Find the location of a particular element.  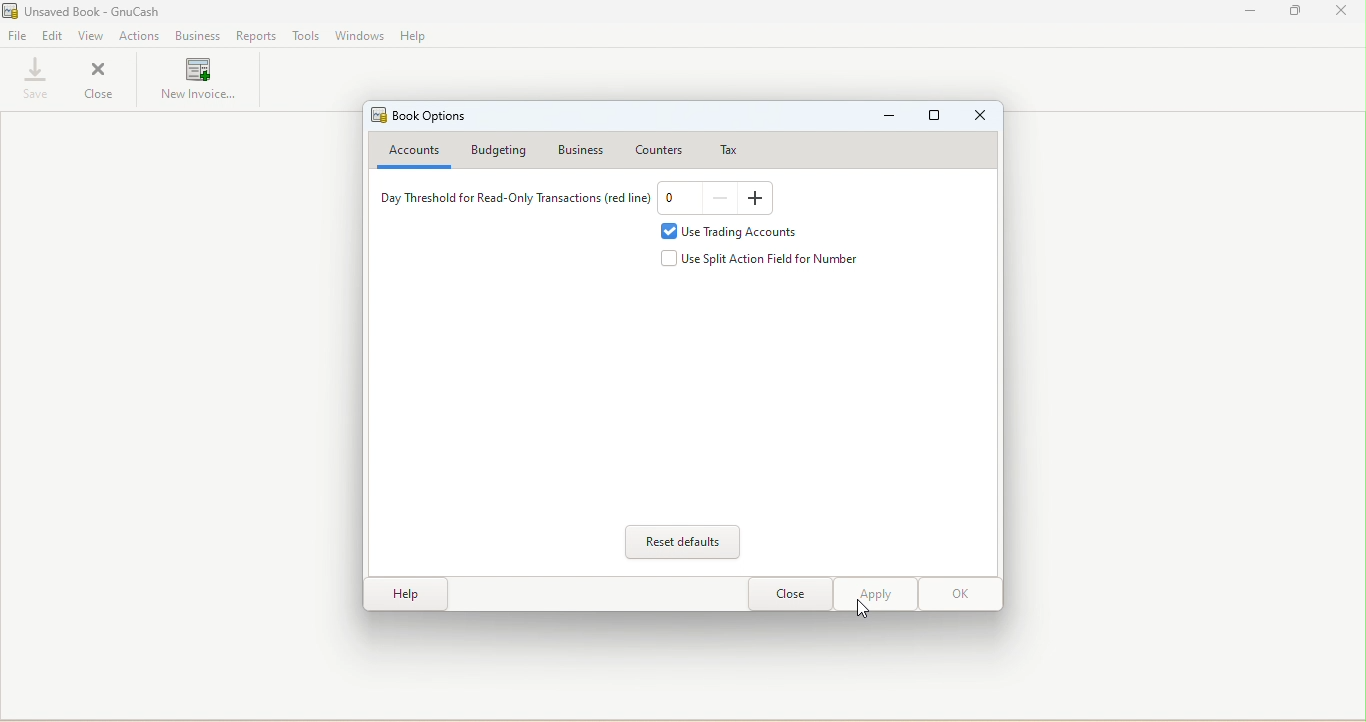

New invoices is located at coordinates (200, 84).